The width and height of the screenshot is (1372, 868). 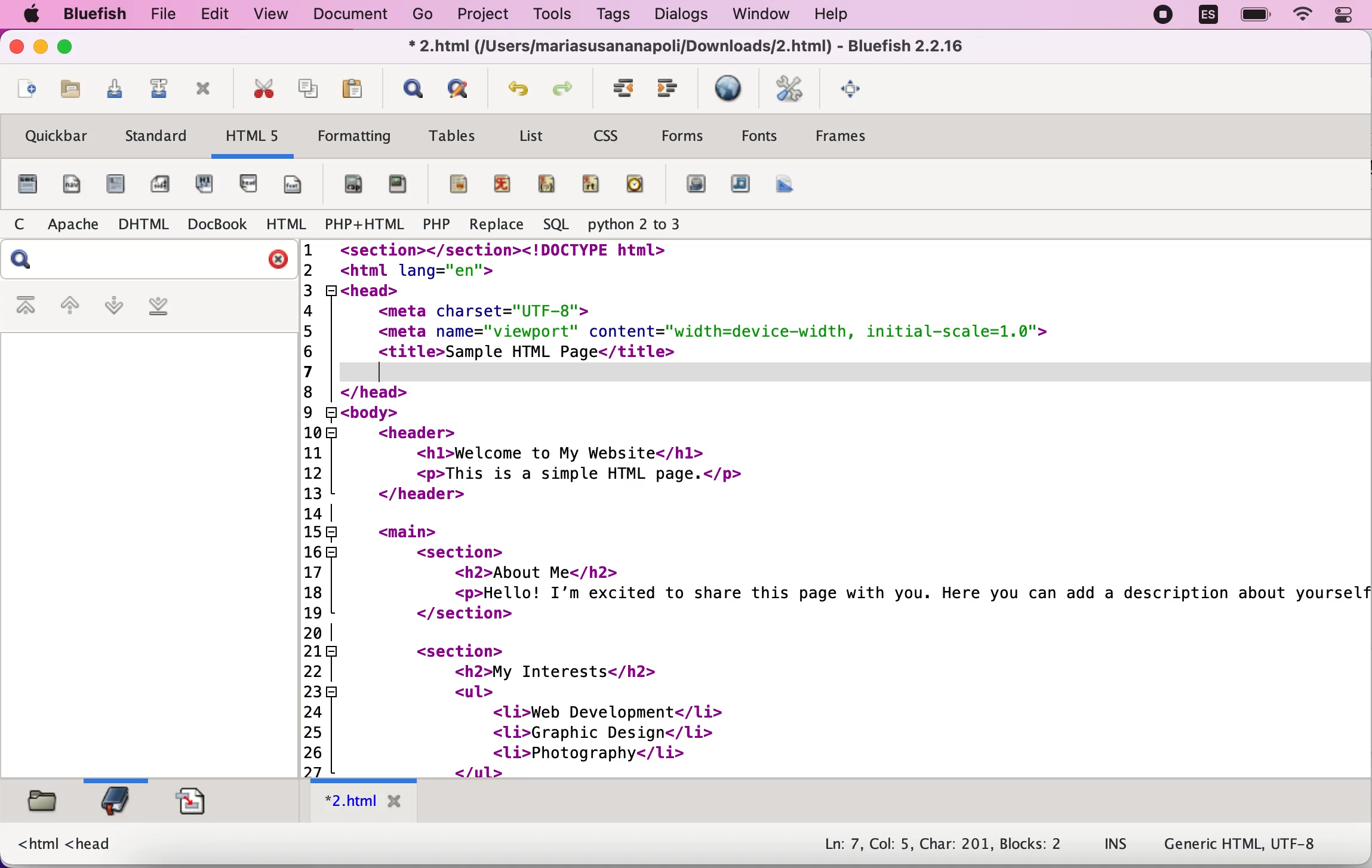 I want to click on paste, so click(x=352, y=88).